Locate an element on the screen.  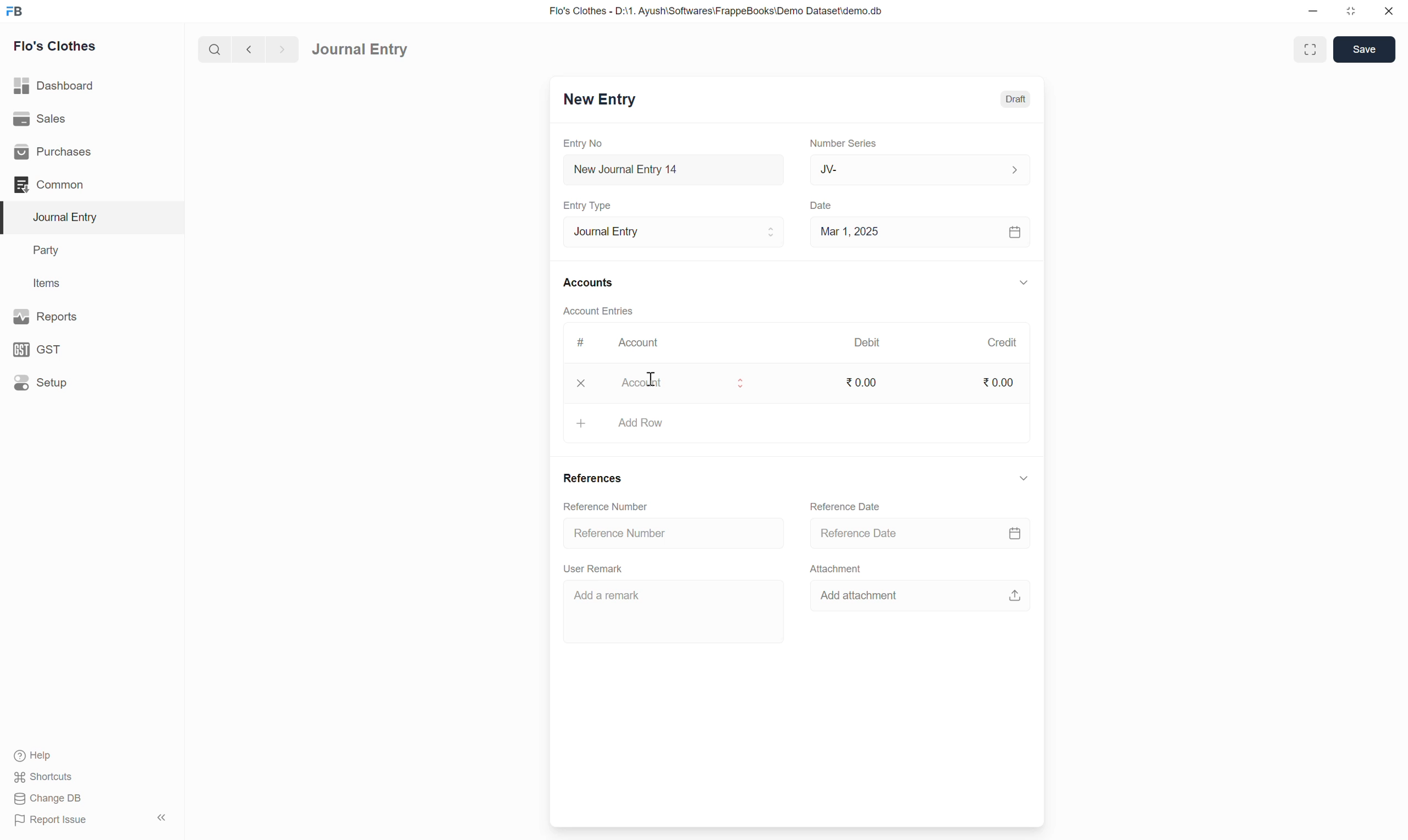
Accounts is located at coordinates (590, 281).